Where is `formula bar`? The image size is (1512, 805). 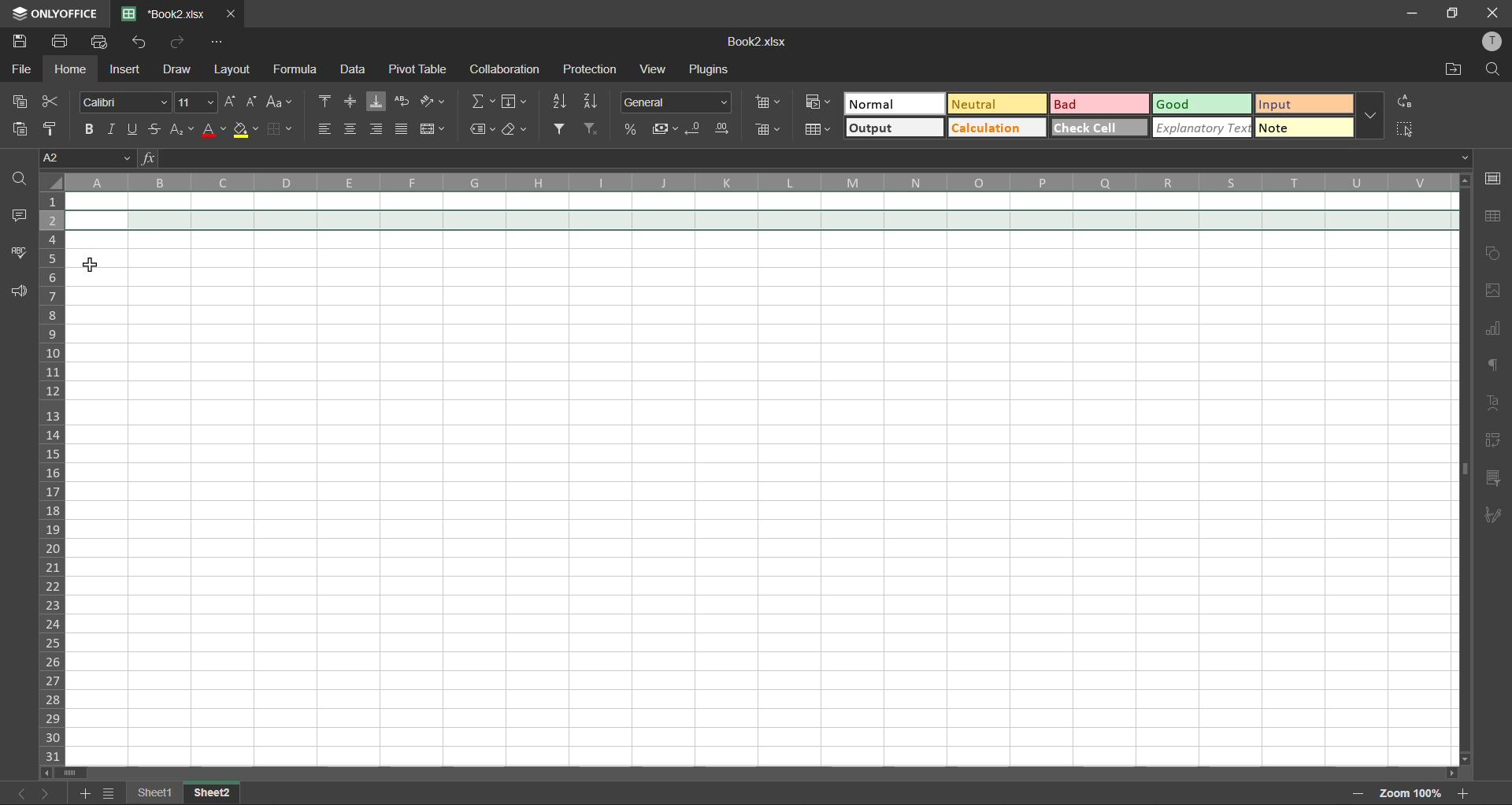 formula bar is located at coordinates (809, 158).